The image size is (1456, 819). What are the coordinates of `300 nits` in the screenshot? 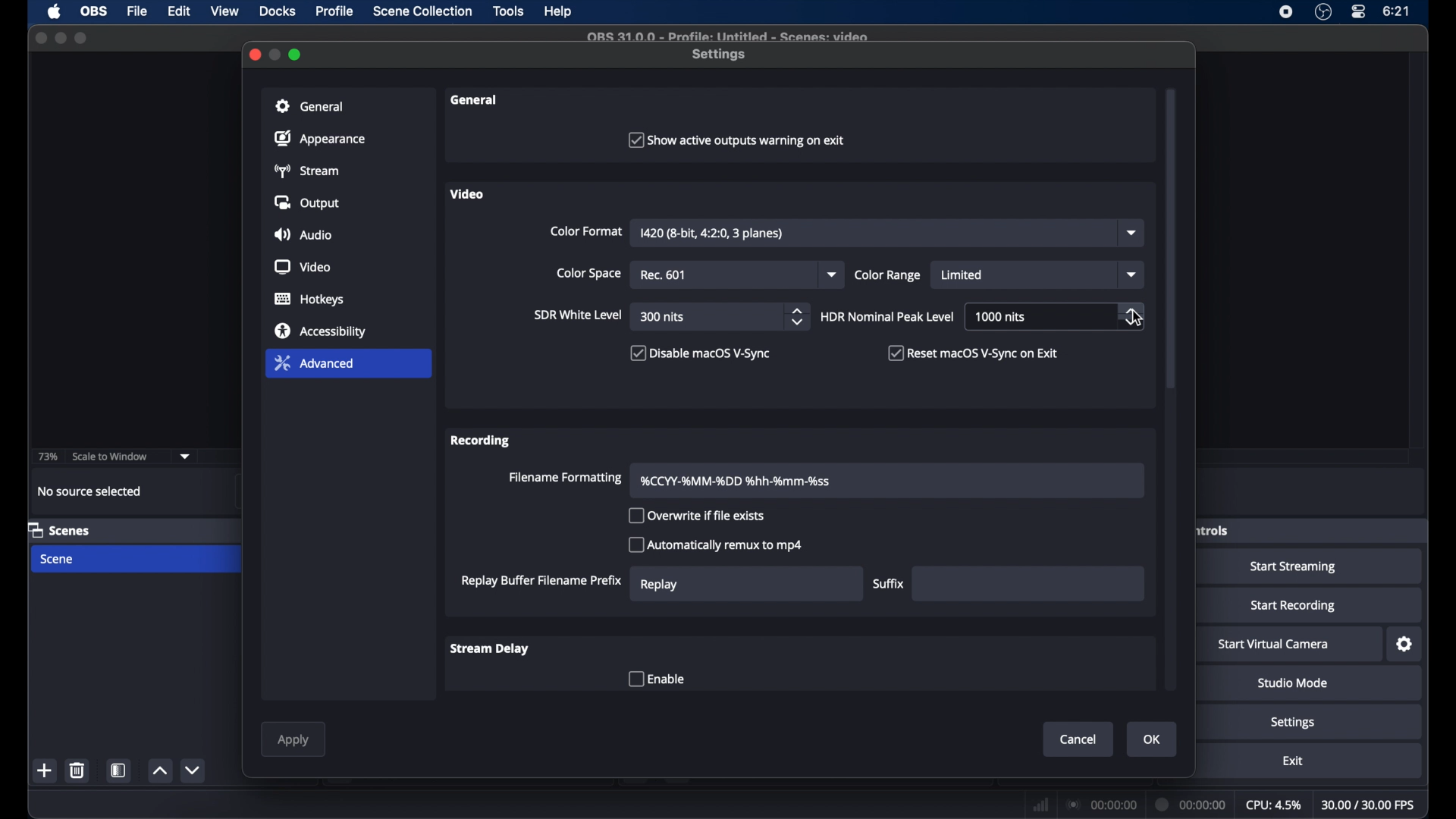 It's located at (663, 317).